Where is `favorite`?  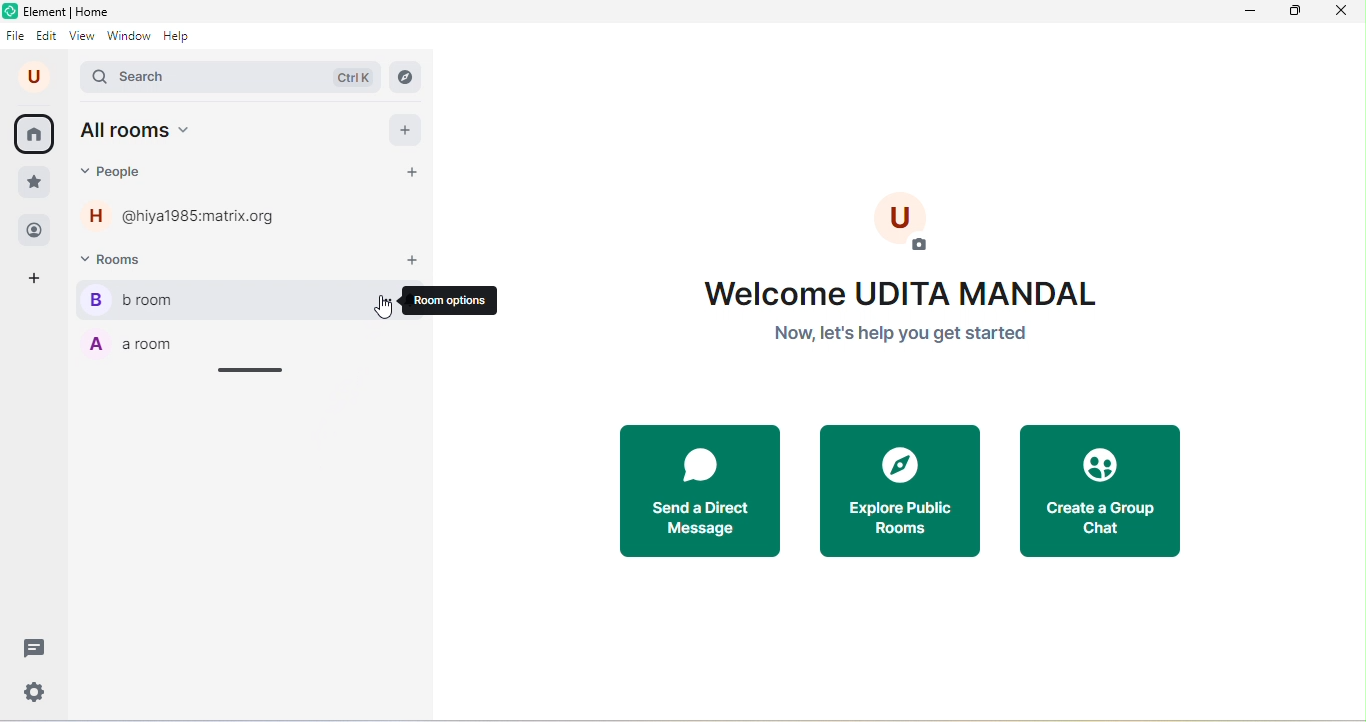 favorite is located at coordinates (37, 186).